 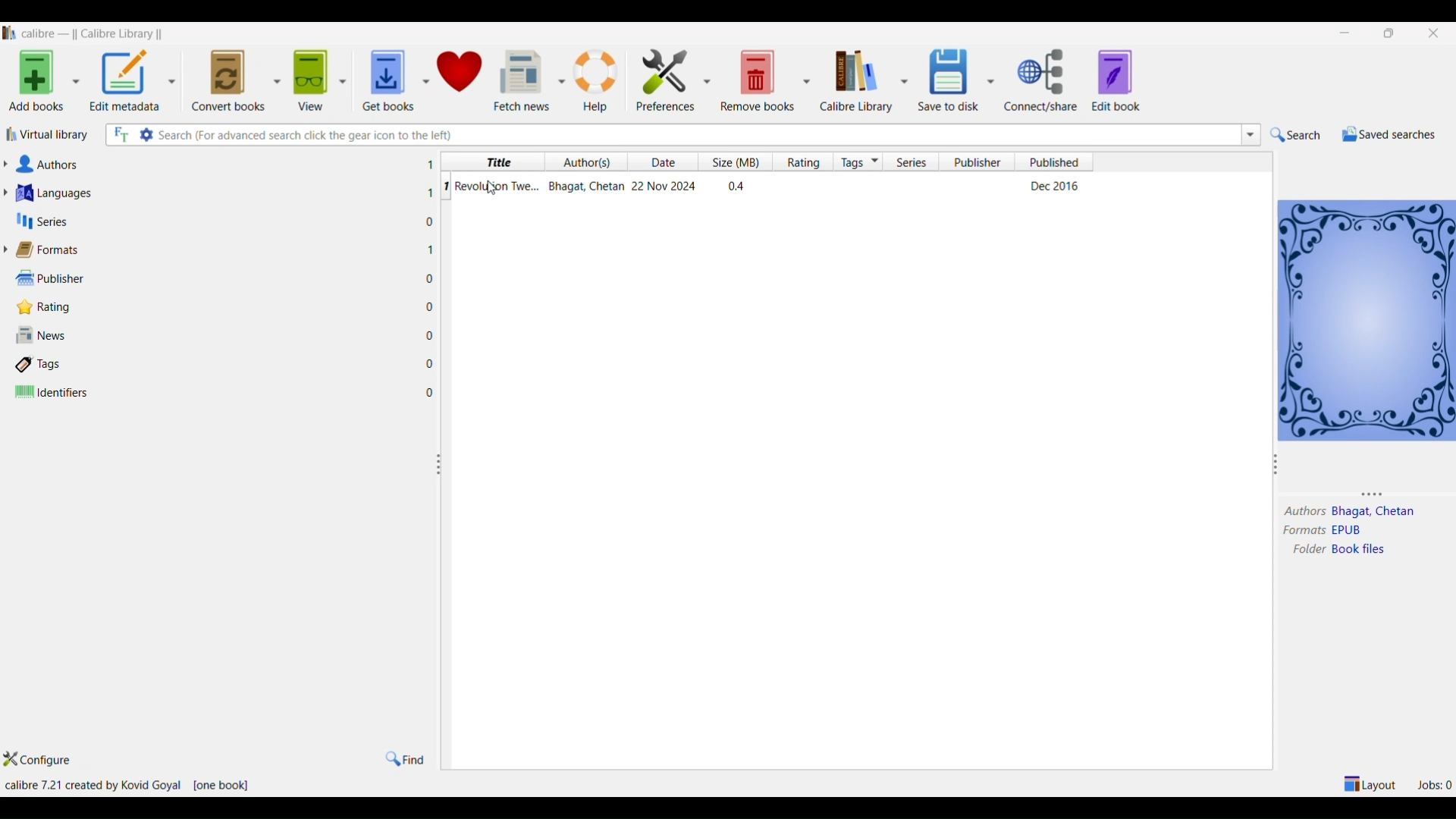 I want to click on languages and number of languages, so click(x=74, y=193).